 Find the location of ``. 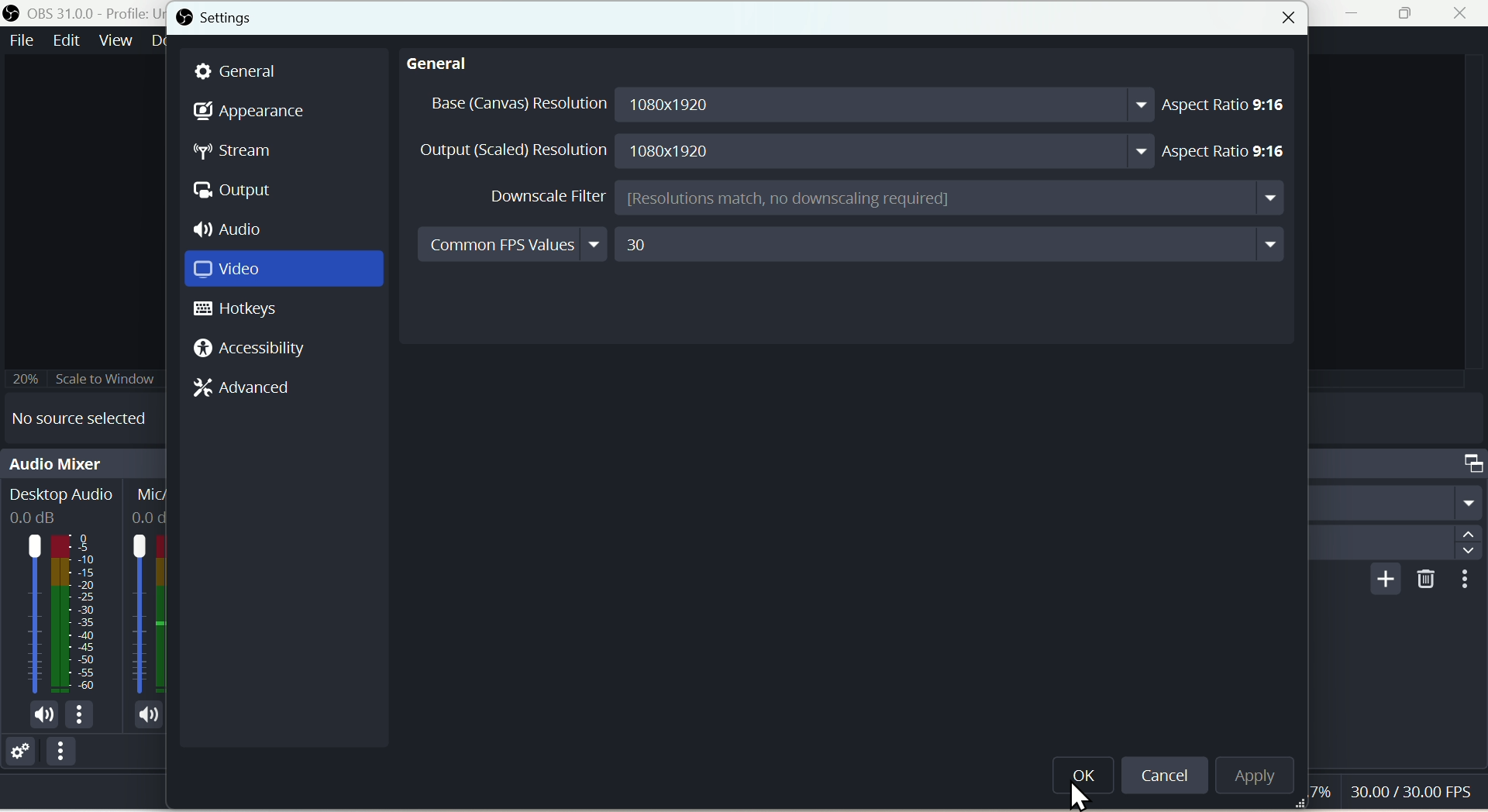

 is located at coordinates (1466, 580).